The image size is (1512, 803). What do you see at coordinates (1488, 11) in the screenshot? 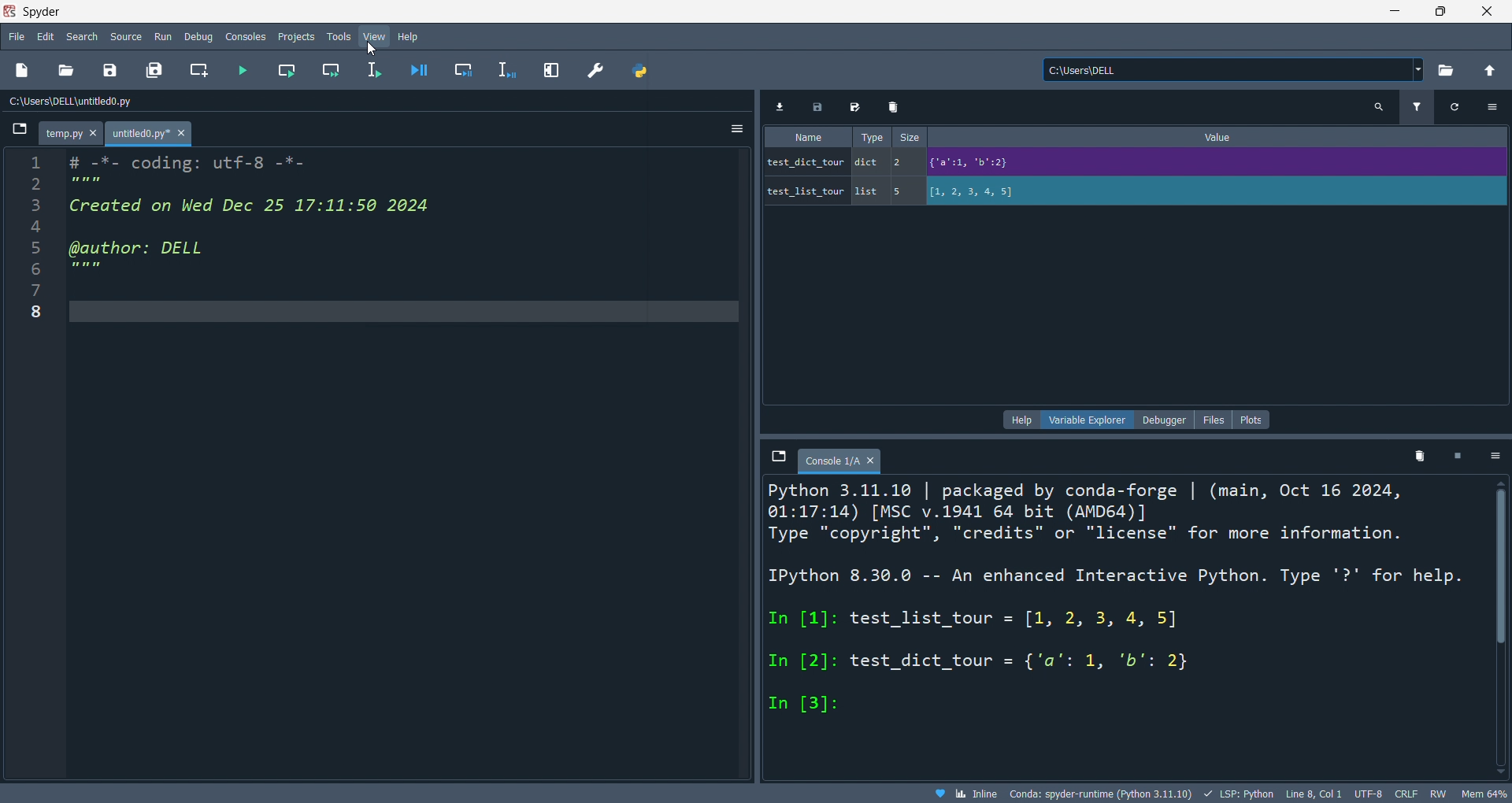
I see `close` at bounding box center [1488, 11].